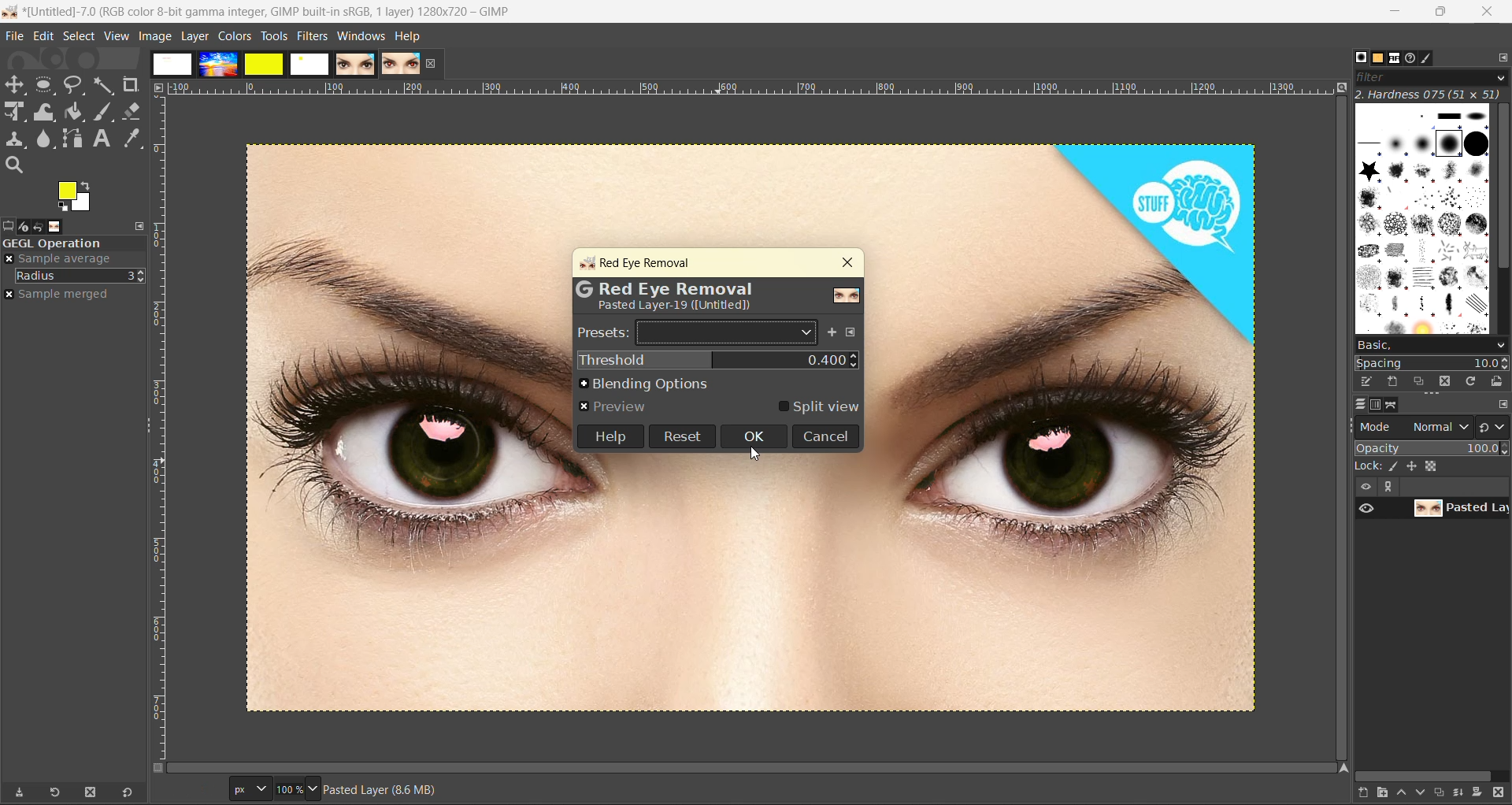 This screenshot has height=805, width=1512. I want to click on view, so click(114, 37).